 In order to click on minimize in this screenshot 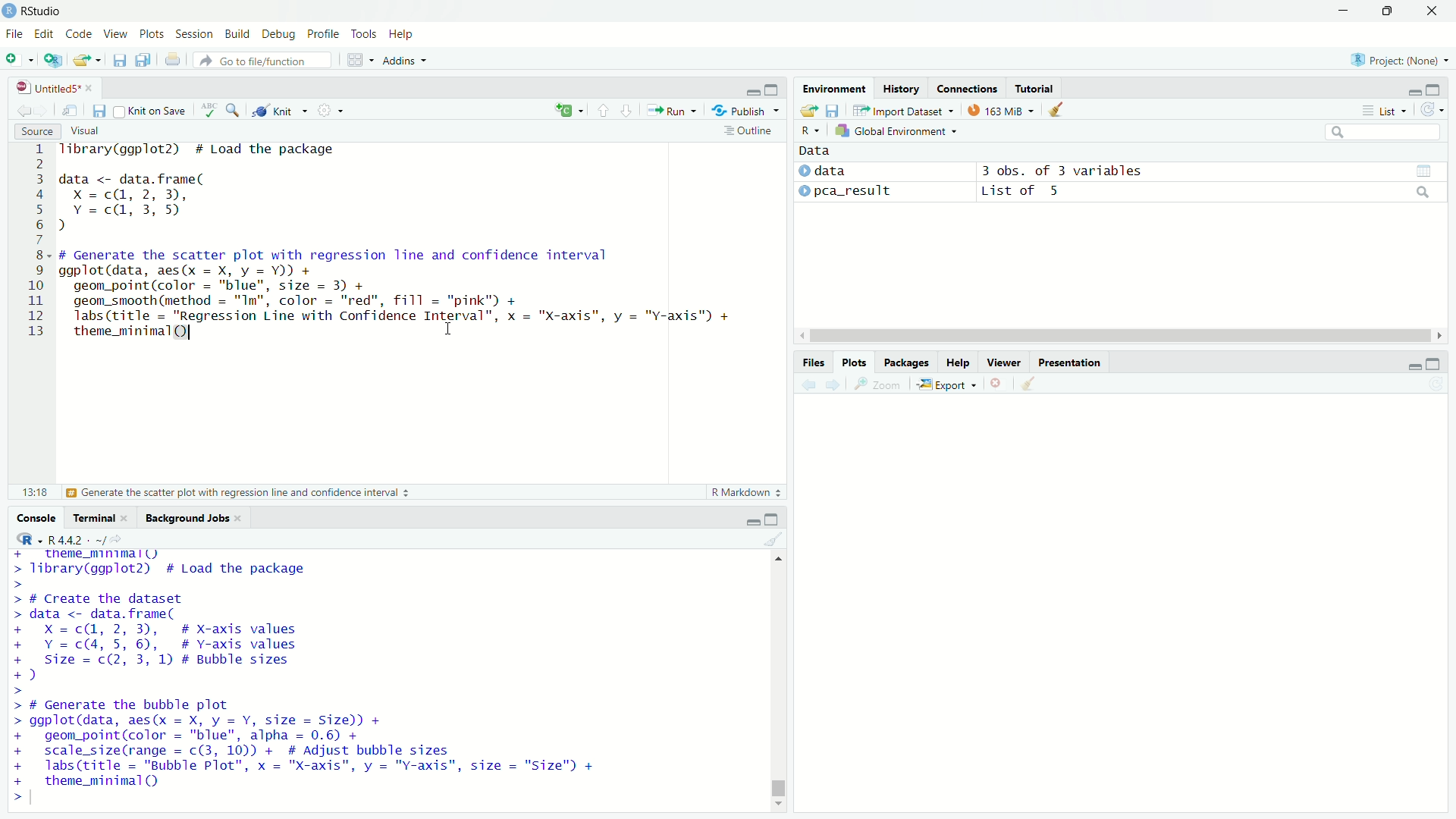, I will do `click(751, 519)`.